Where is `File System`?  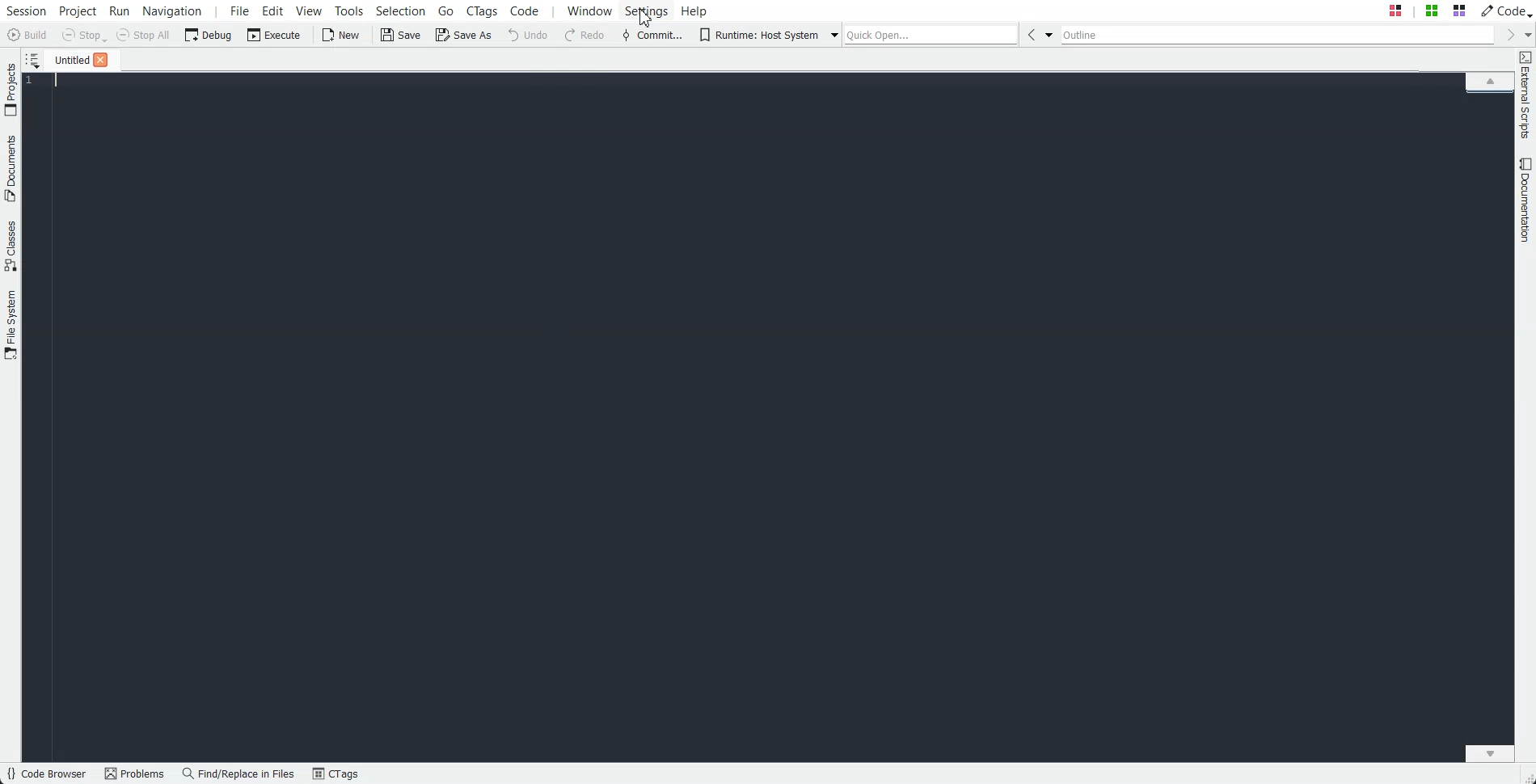
File System is located at coordinates (11, 327).